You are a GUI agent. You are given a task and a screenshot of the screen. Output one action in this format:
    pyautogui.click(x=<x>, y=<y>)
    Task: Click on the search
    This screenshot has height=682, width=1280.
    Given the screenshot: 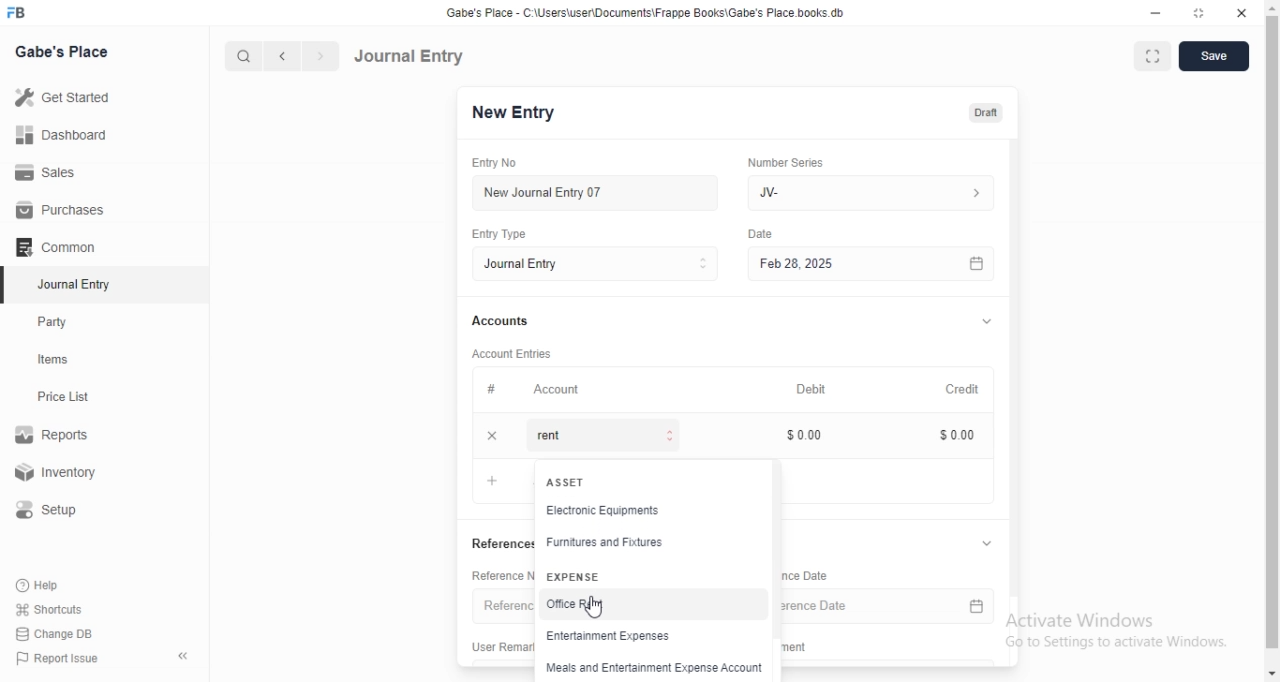 What is the action you would take?
    pyautogui.click(x=241, y=56)
    